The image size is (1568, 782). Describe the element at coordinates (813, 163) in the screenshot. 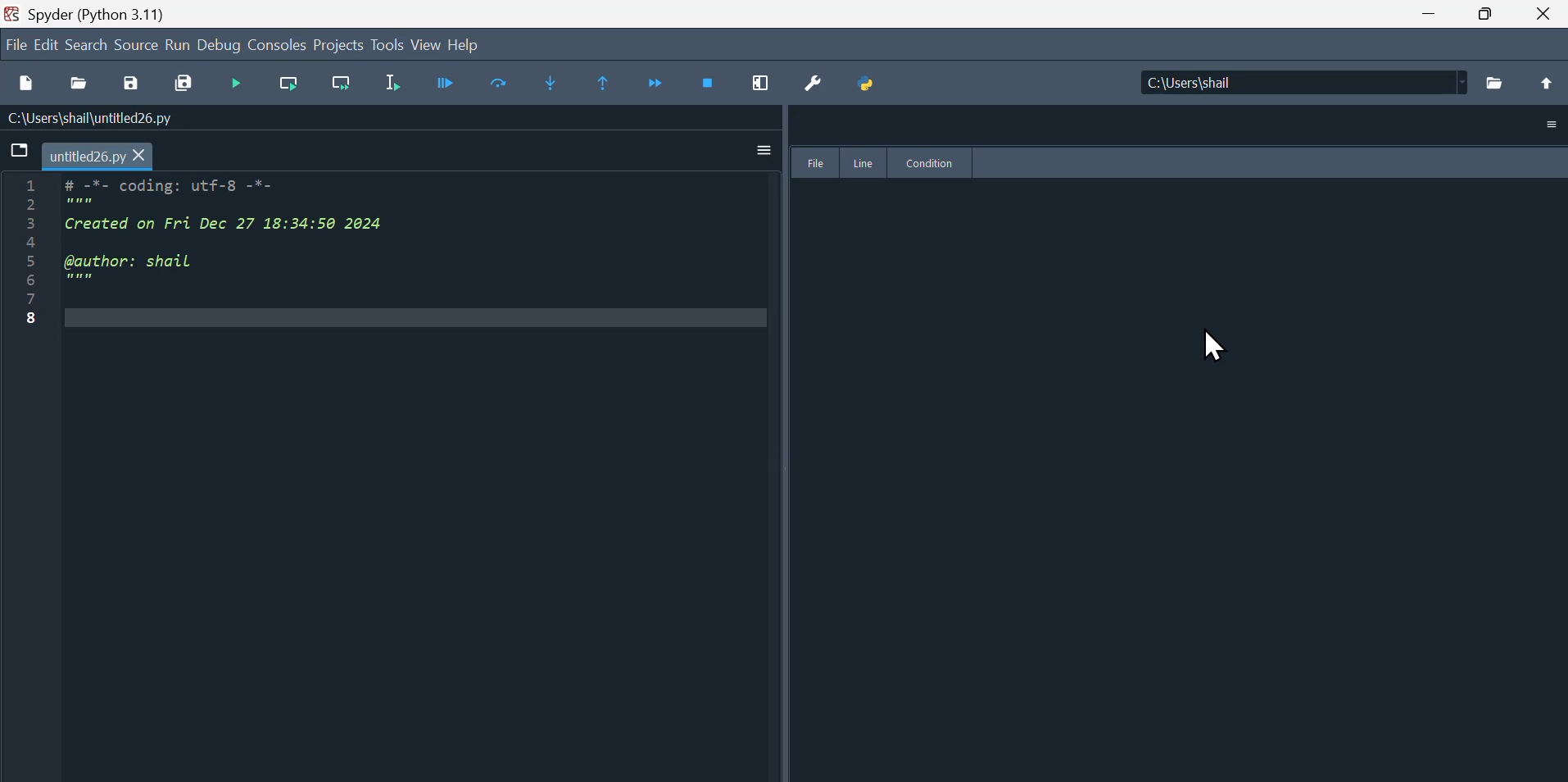

I see `File` at that location.